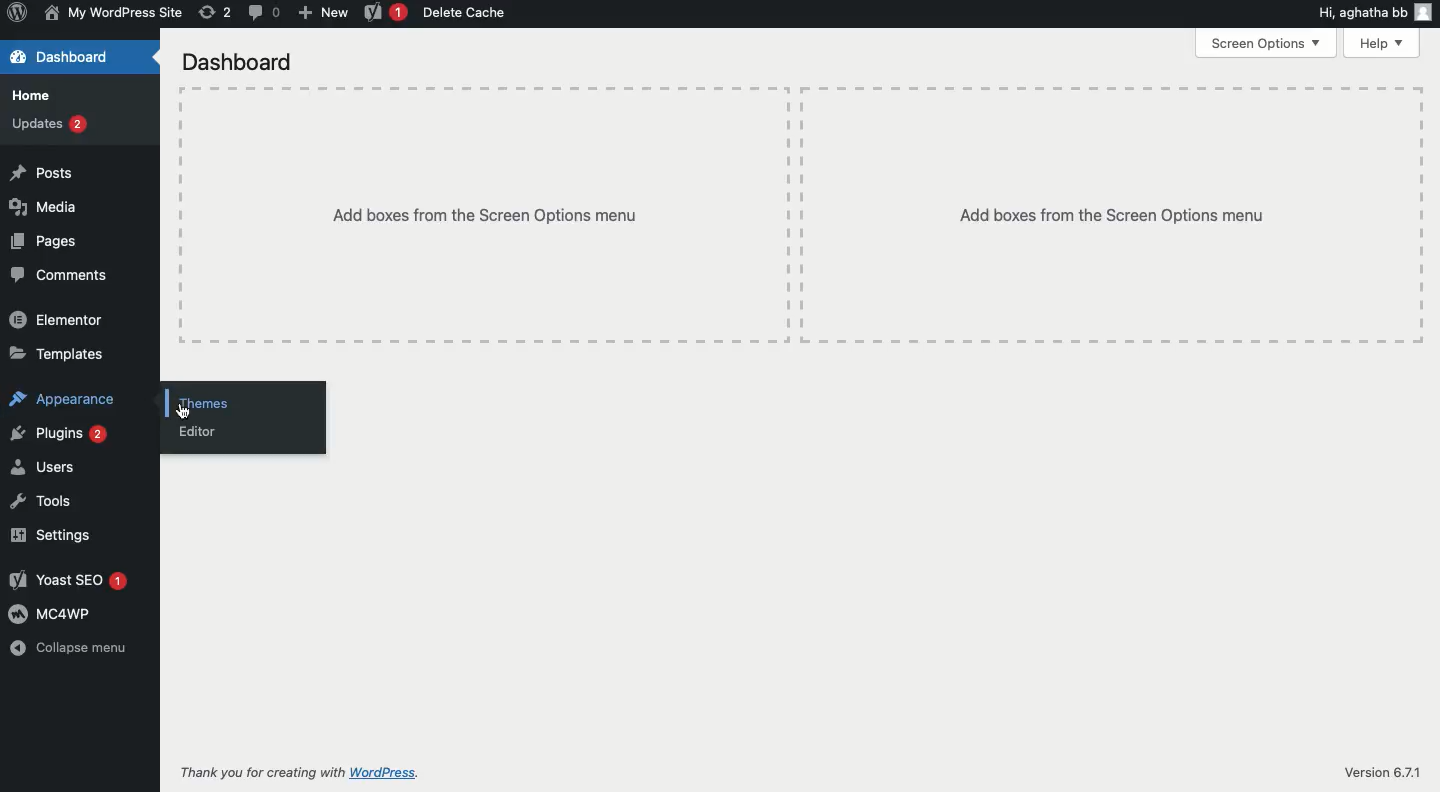  I want to click on Collapse menu, so click(71, 648).